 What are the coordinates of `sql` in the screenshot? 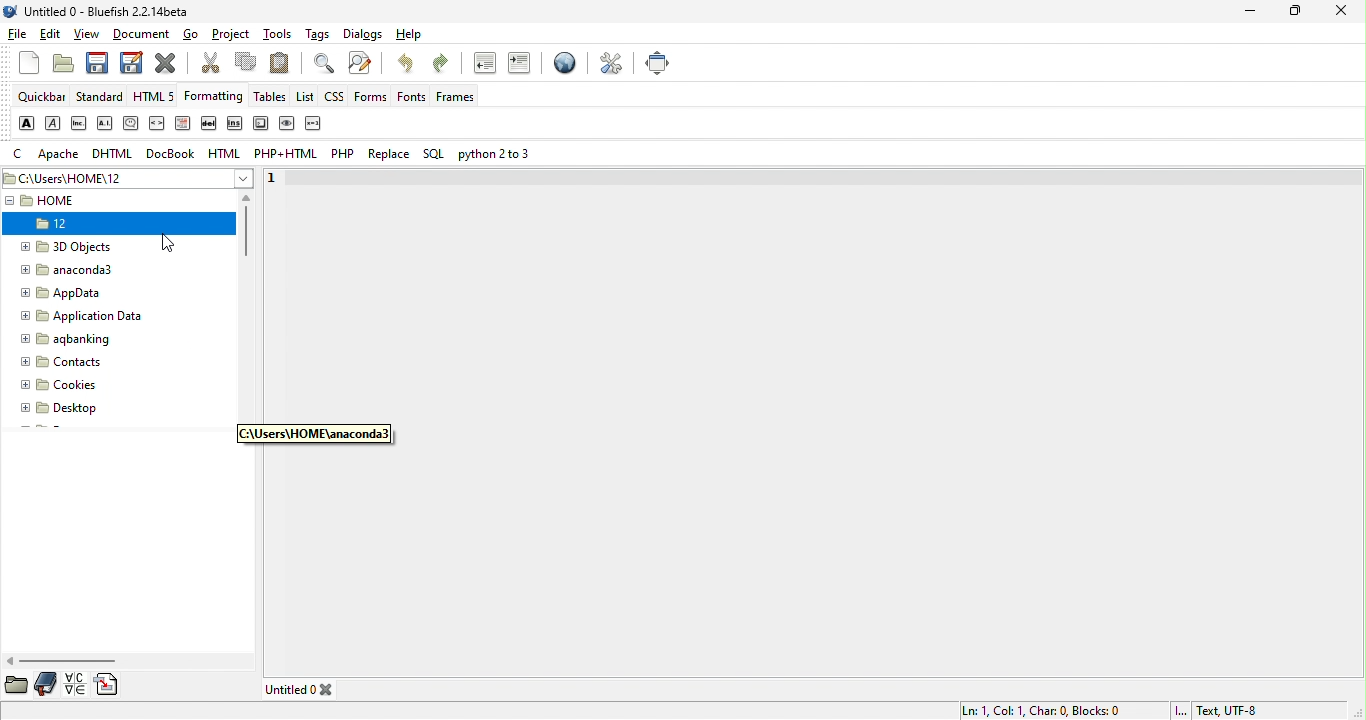 It's located at (437, 152).